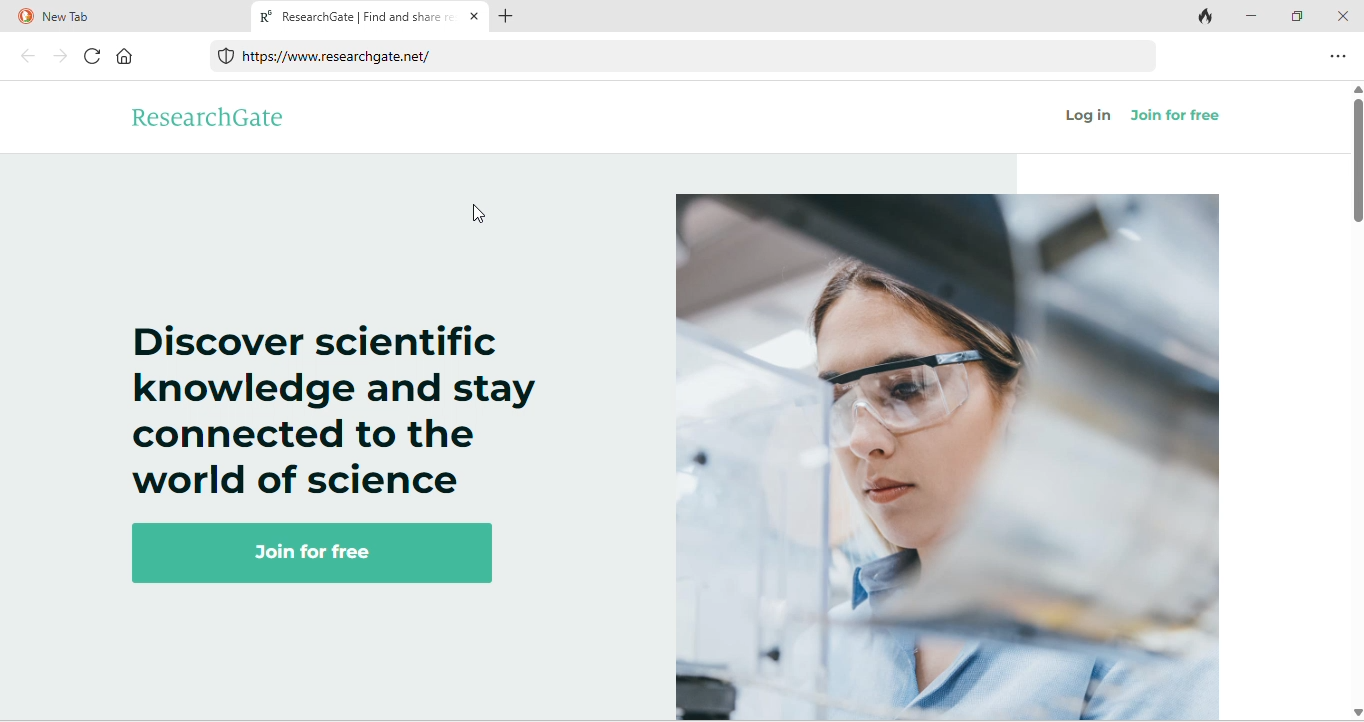 The height and width of the screenshot is (722, 1364). I want to click on close, so click(1343, 15).